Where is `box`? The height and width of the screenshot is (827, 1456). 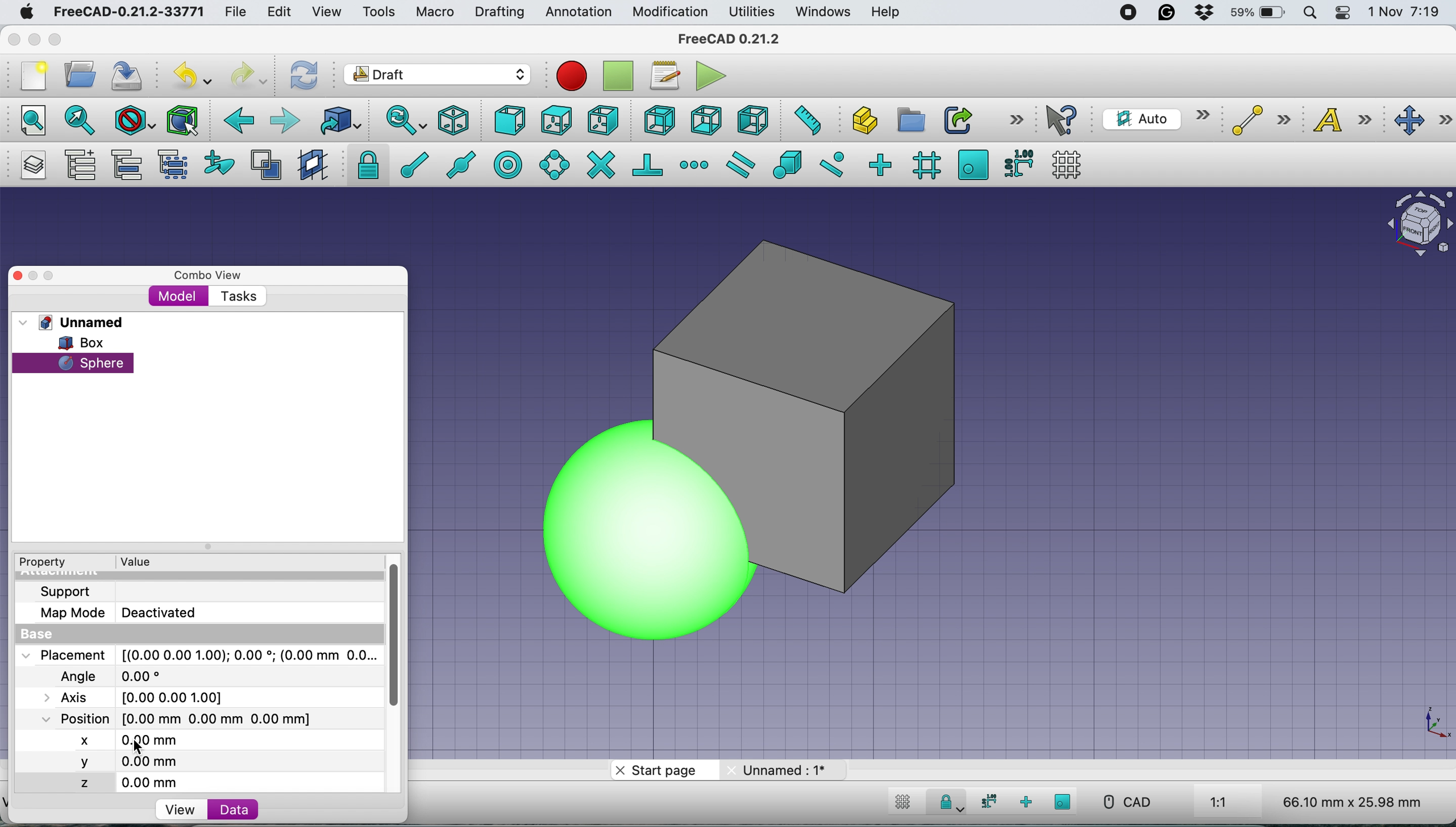
box is located at coordinates (89, 343).